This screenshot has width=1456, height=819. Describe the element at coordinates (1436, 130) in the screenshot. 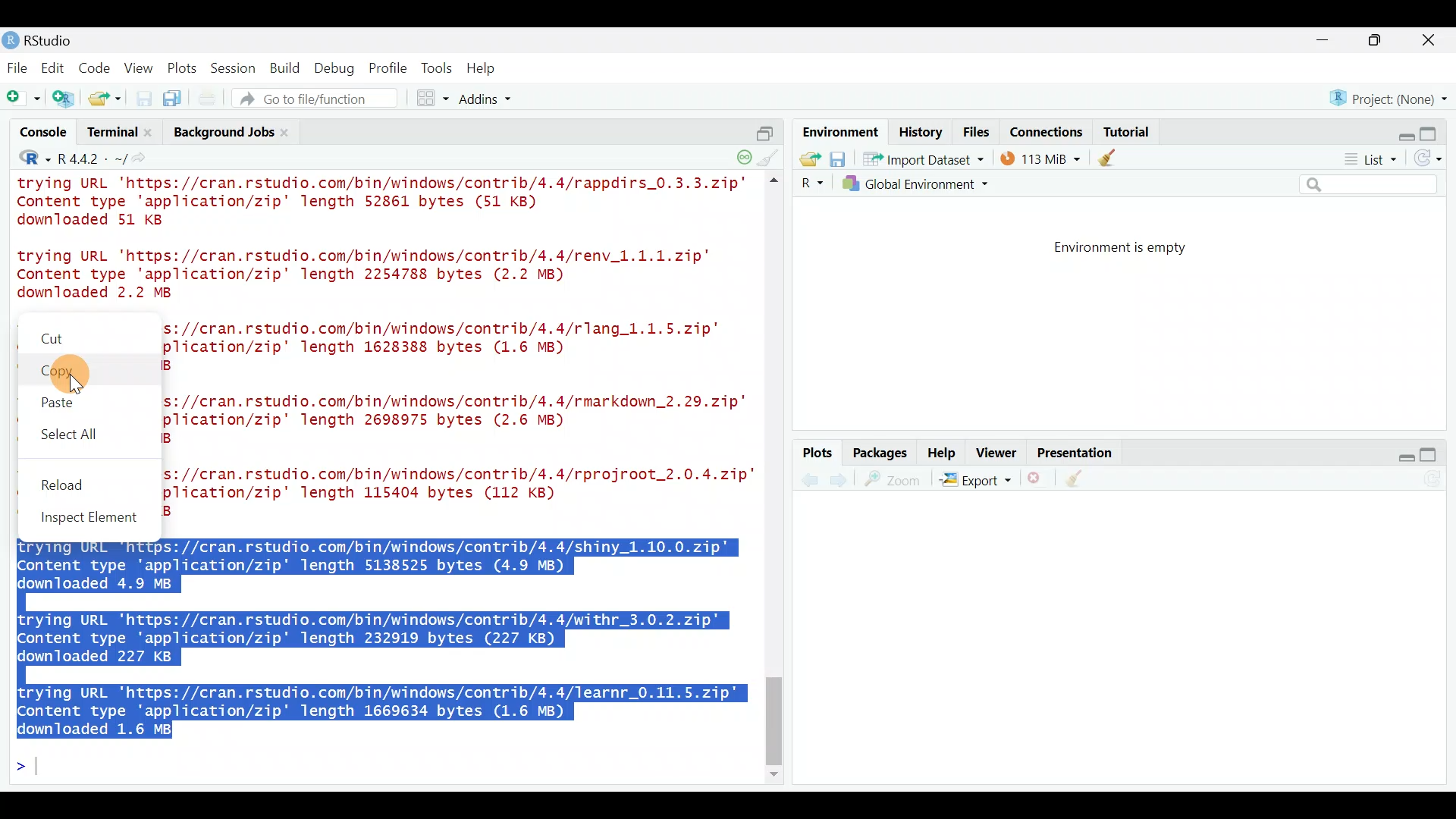

I see `Maximize` at that location.